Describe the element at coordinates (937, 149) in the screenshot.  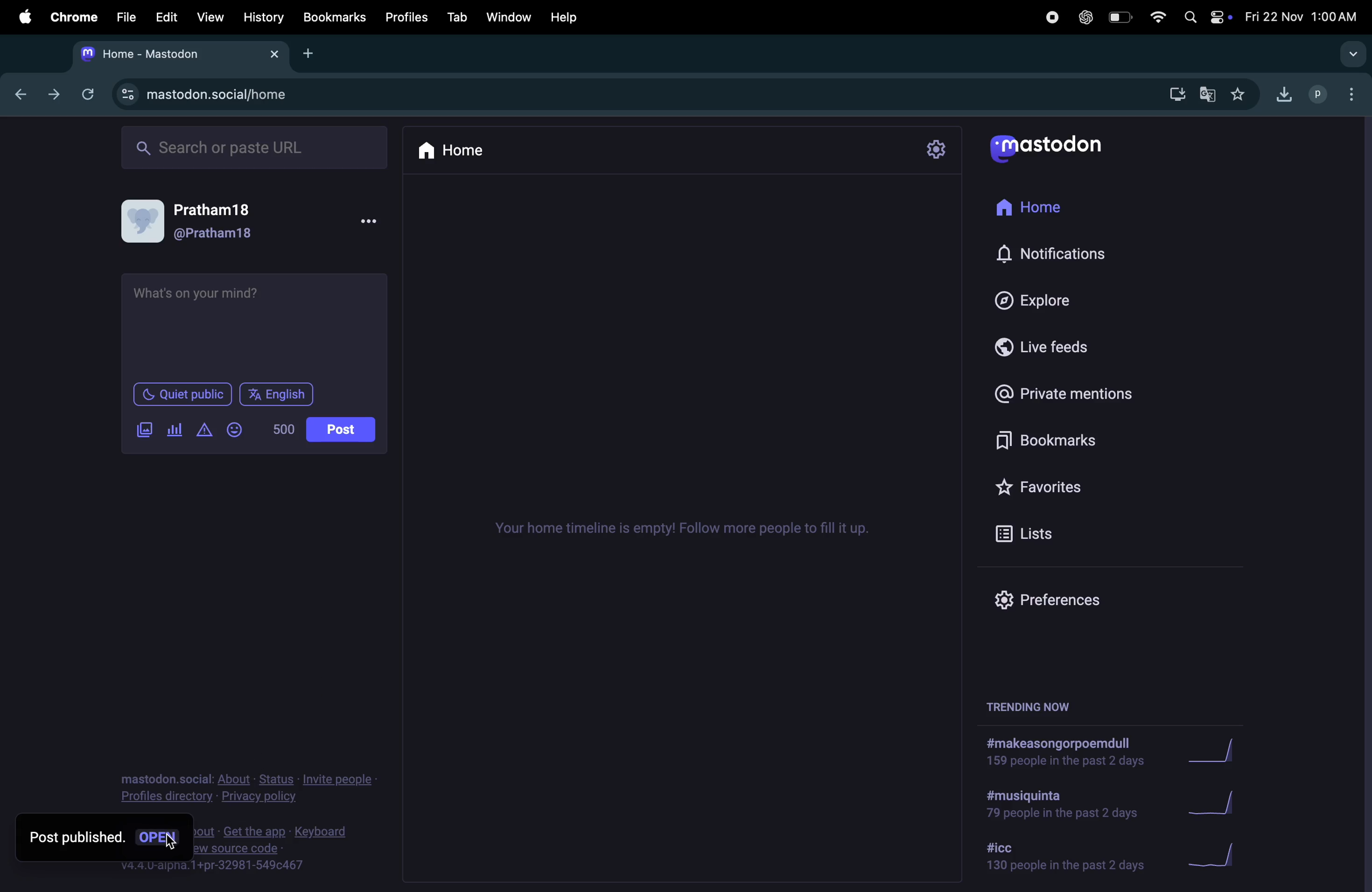
I see `settings` at that location.